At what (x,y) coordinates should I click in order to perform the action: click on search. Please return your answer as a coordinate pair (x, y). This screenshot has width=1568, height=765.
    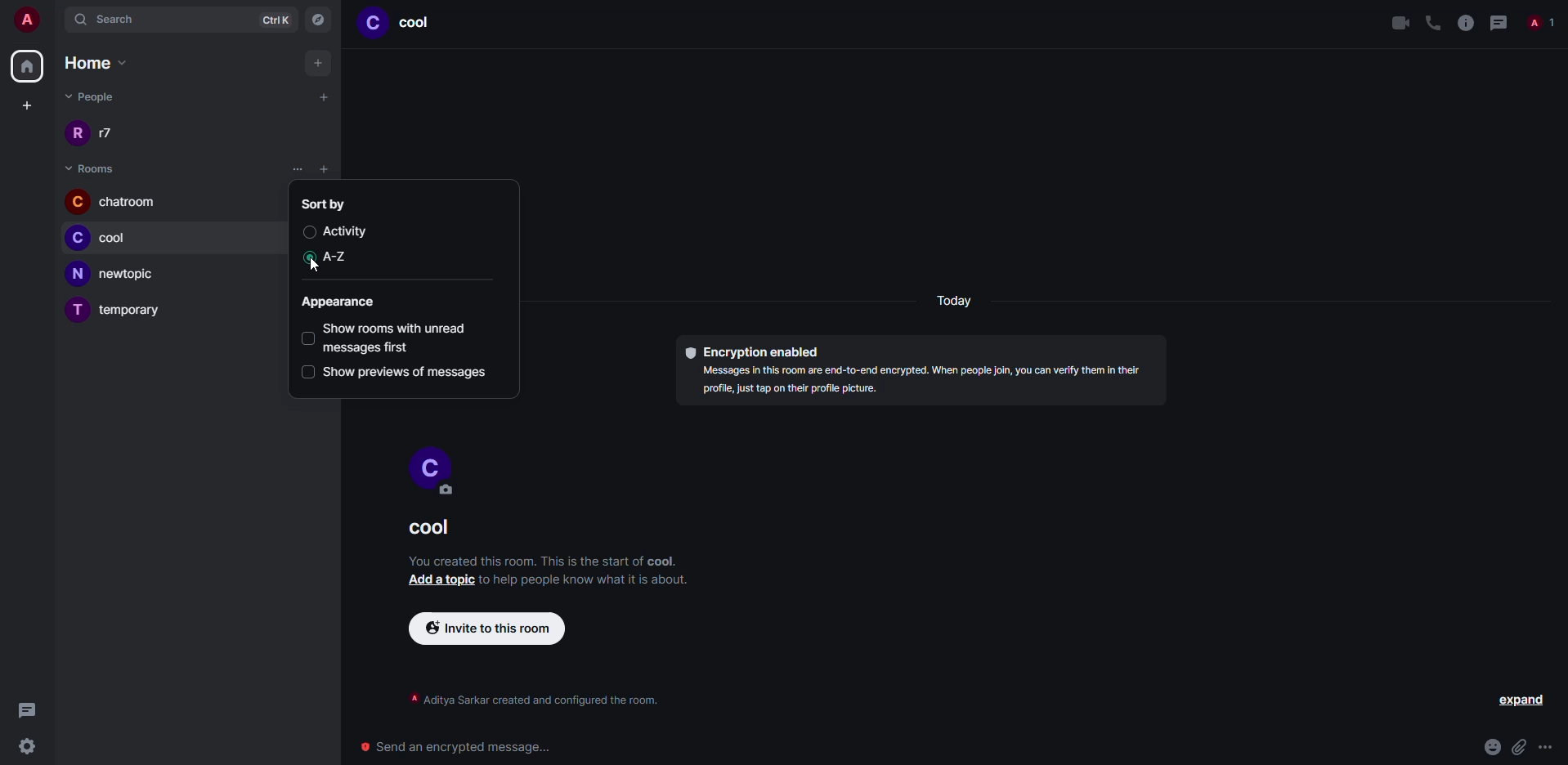
    Looking at the image, I should click on (121, 20).